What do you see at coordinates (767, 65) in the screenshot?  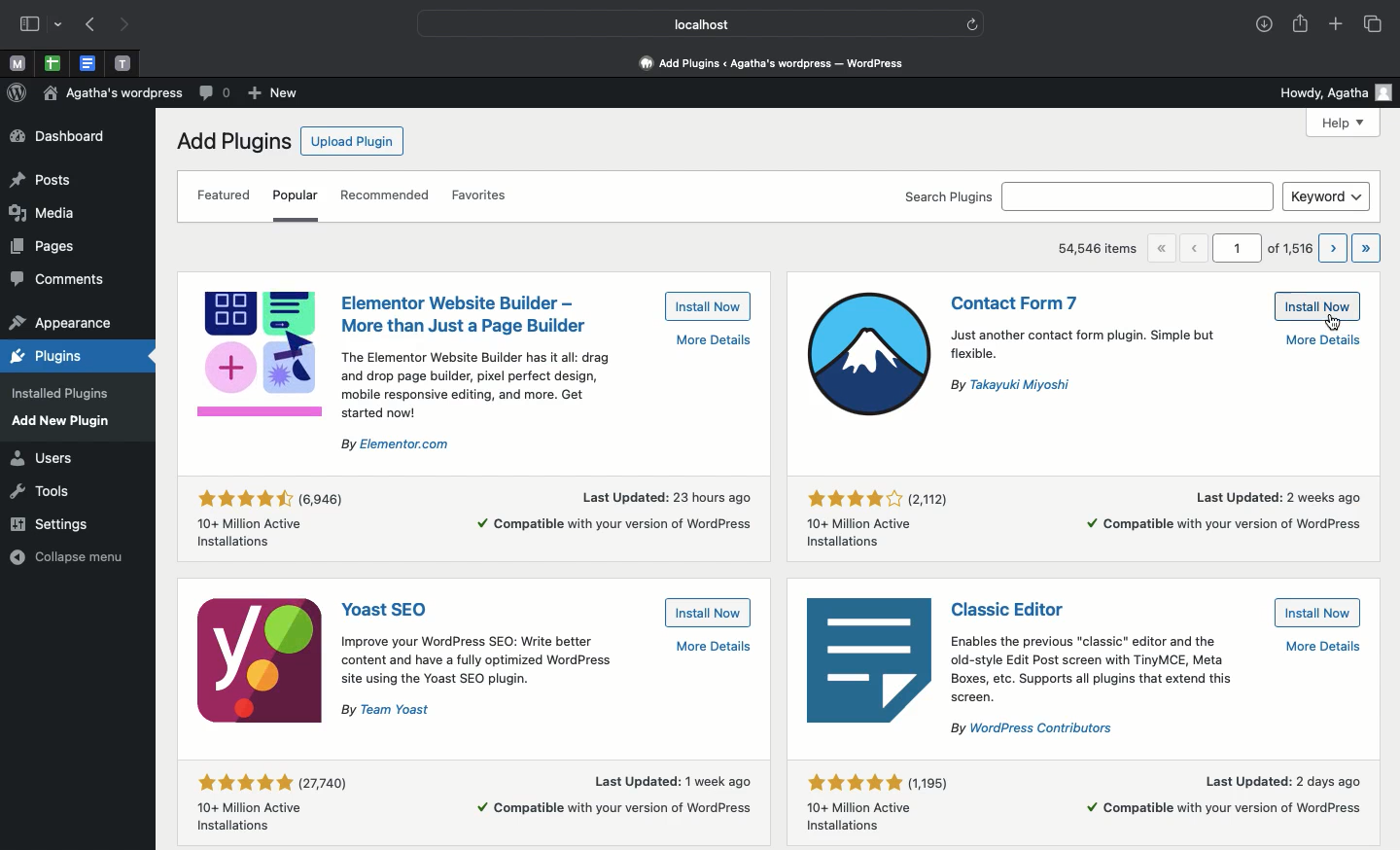 I see `Dashboard` at bounding box center [767, 65].